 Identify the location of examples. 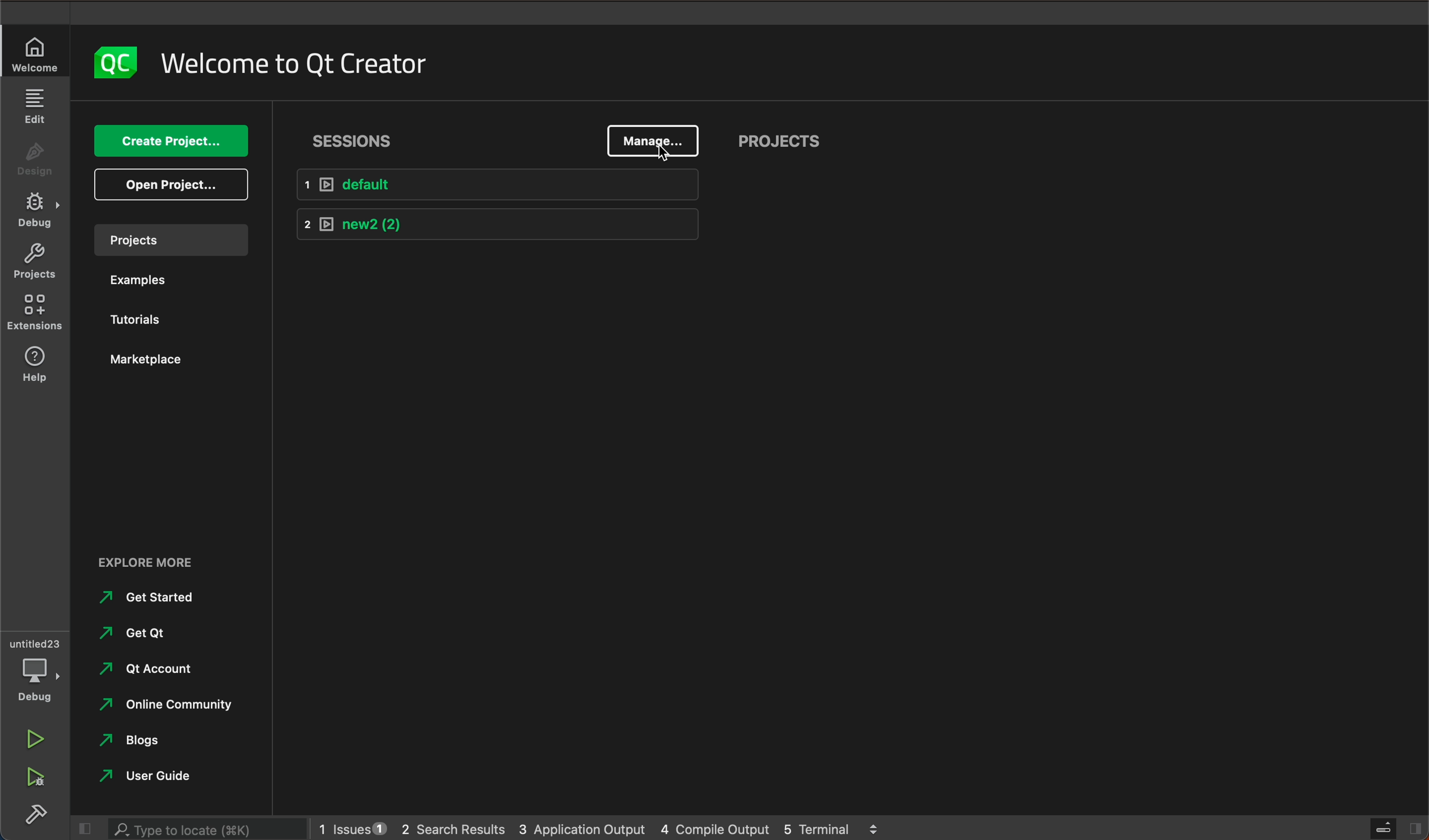
(141, 280).